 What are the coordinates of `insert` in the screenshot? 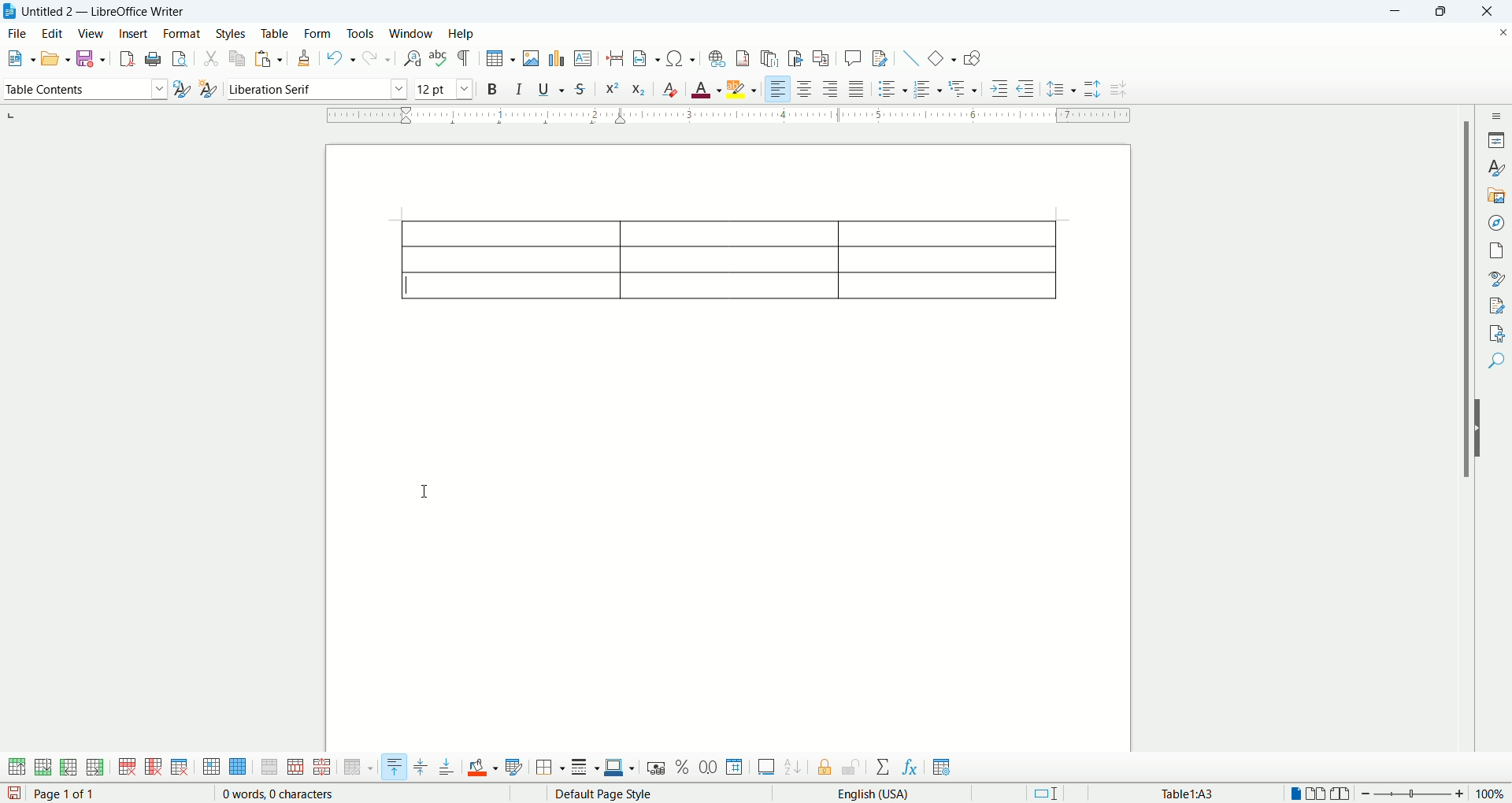 It's located at (133, 35).